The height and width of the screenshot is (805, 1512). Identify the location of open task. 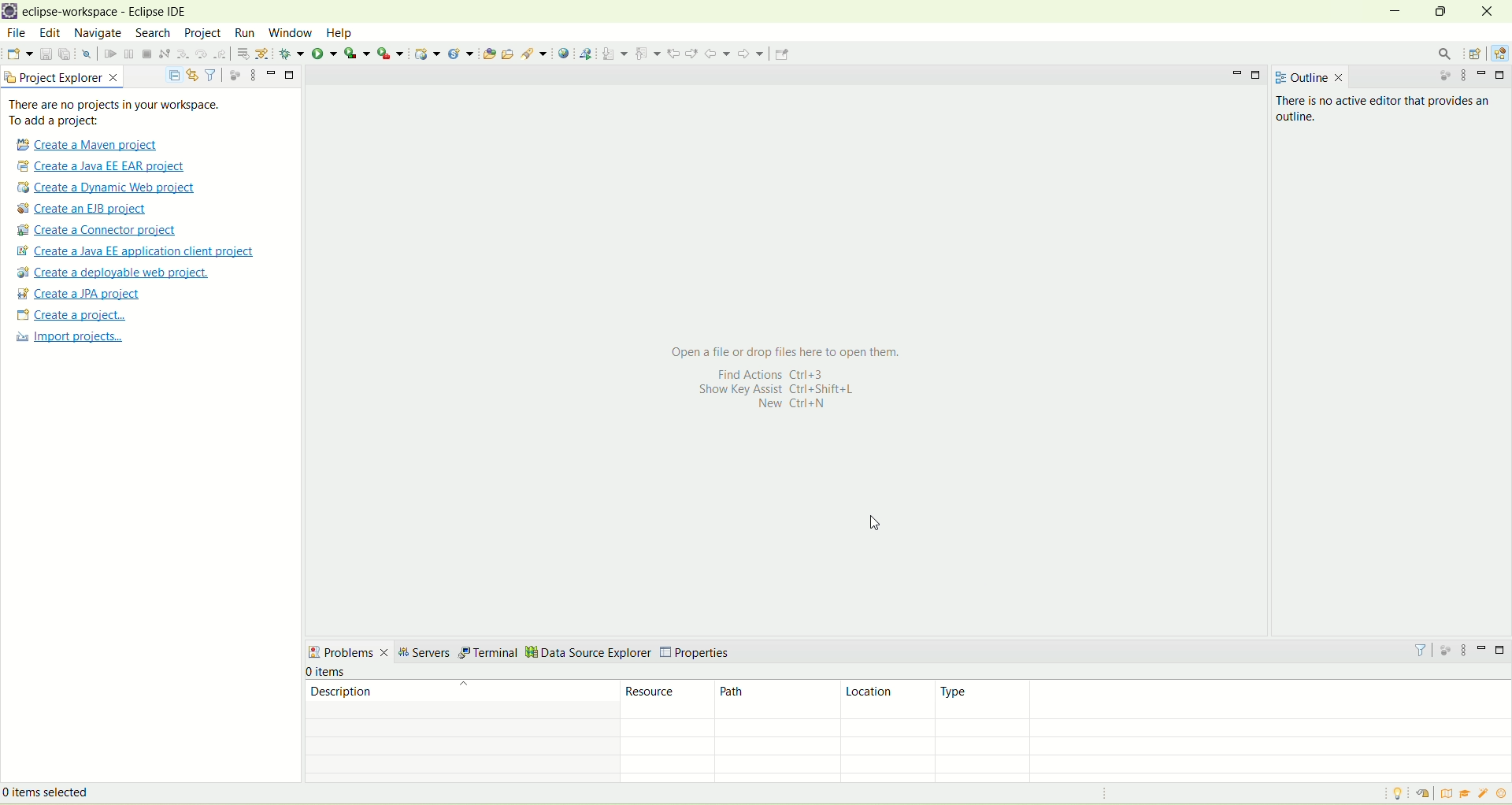
(572, 54).